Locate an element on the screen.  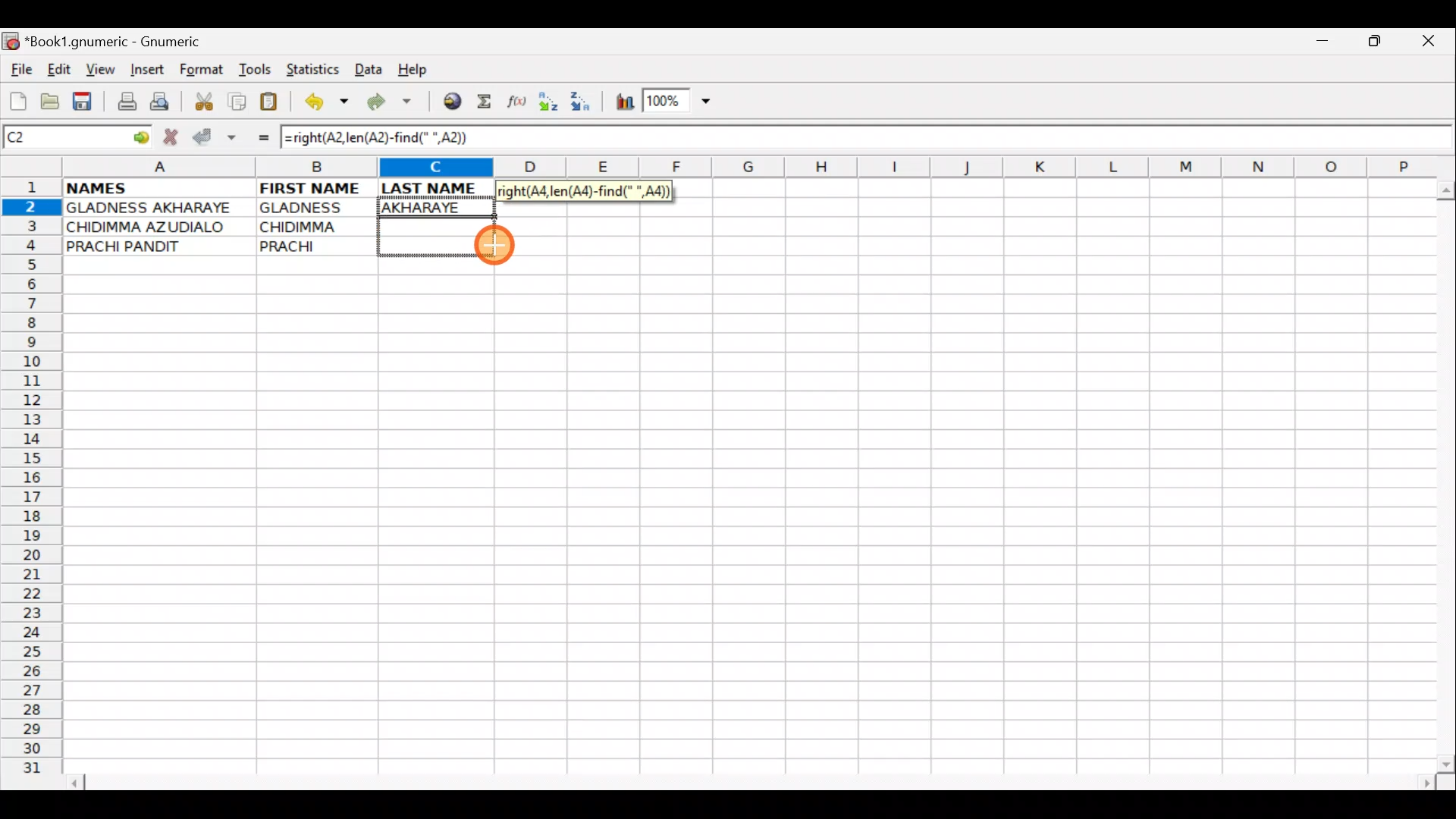
Rows is located at coordinates (32, 482).